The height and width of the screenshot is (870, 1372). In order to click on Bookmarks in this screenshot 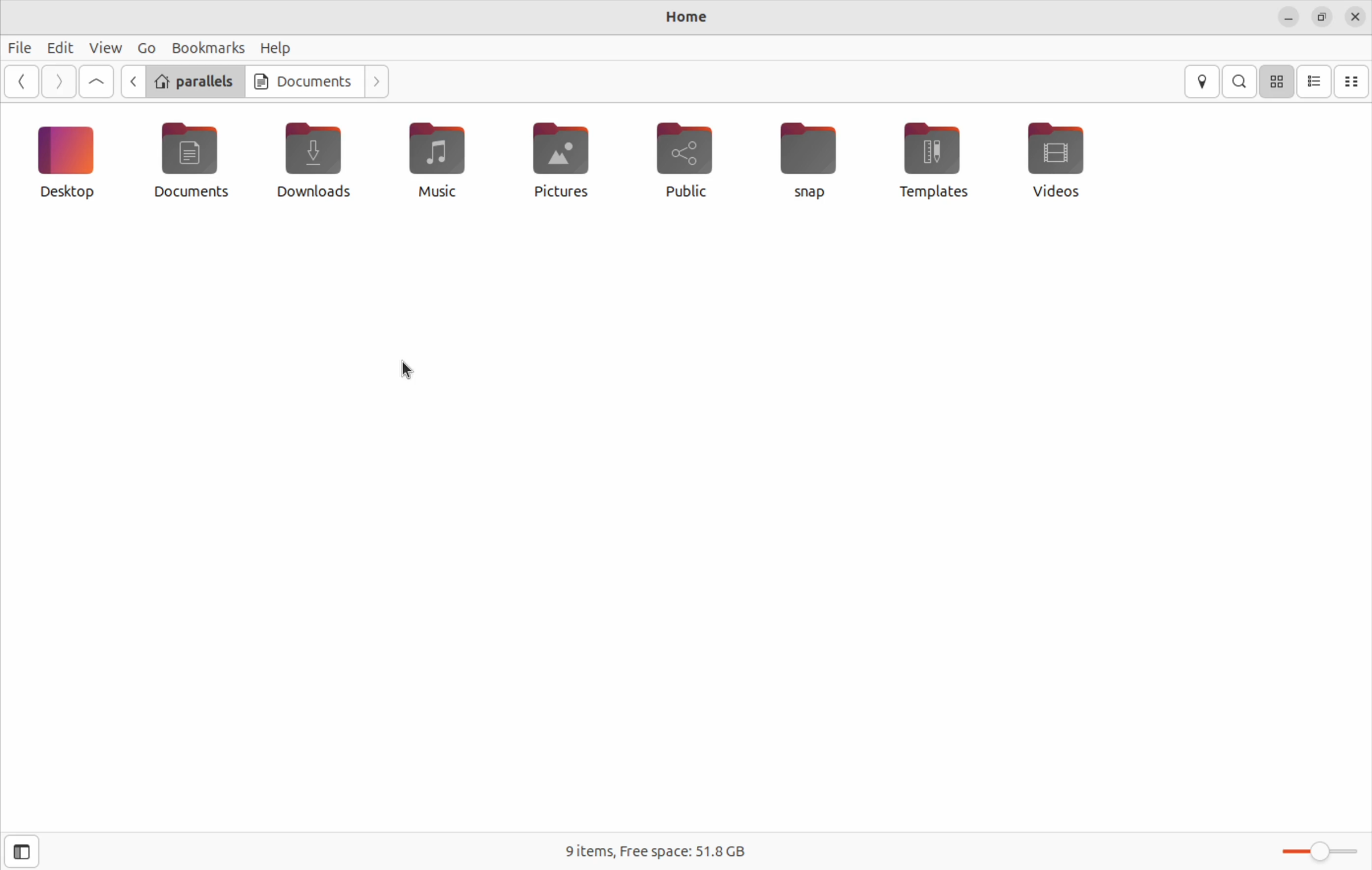, I will do `click(203, 47)`.